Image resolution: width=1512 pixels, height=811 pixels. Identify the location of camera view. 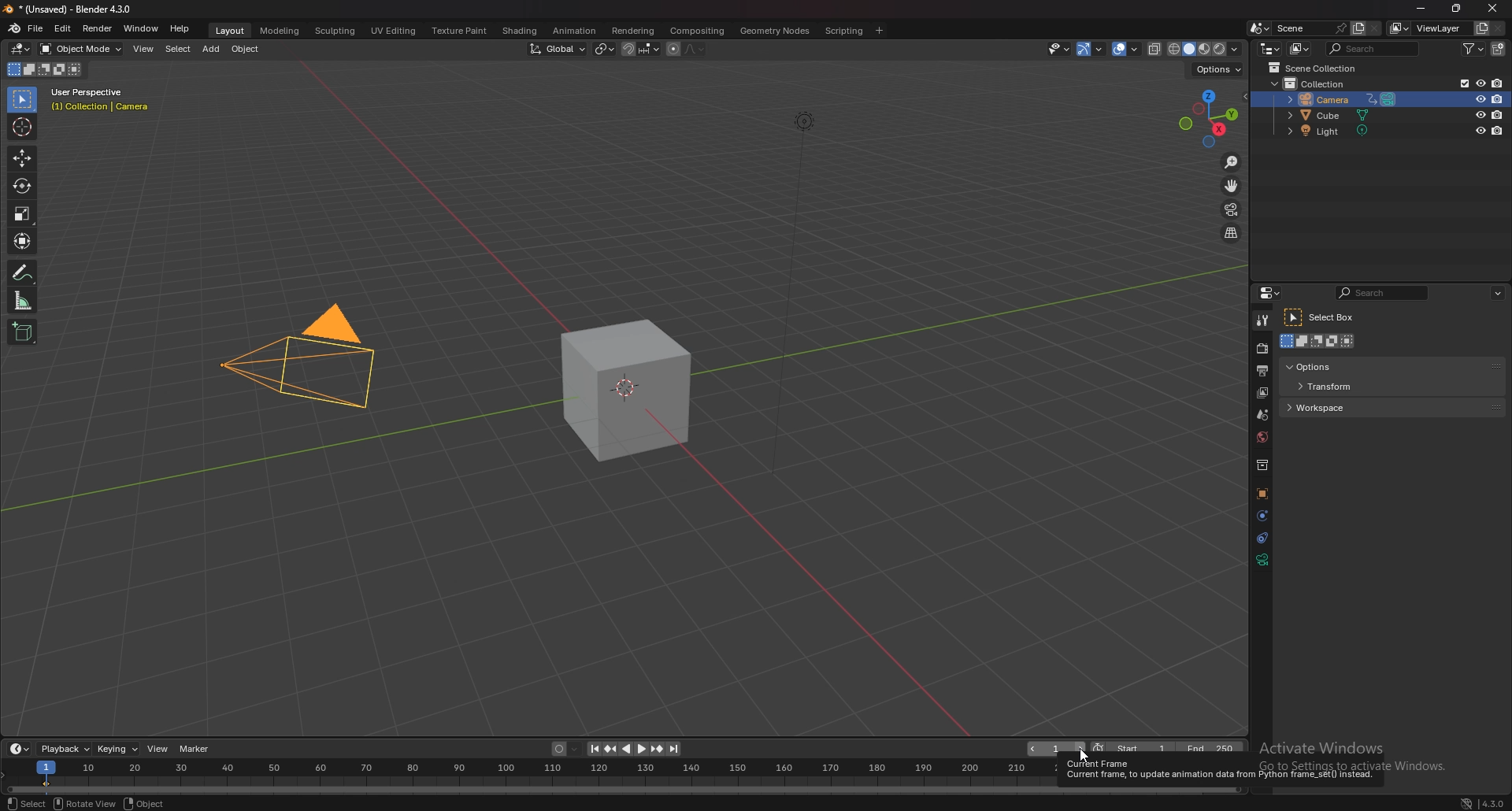
(1232, 209).